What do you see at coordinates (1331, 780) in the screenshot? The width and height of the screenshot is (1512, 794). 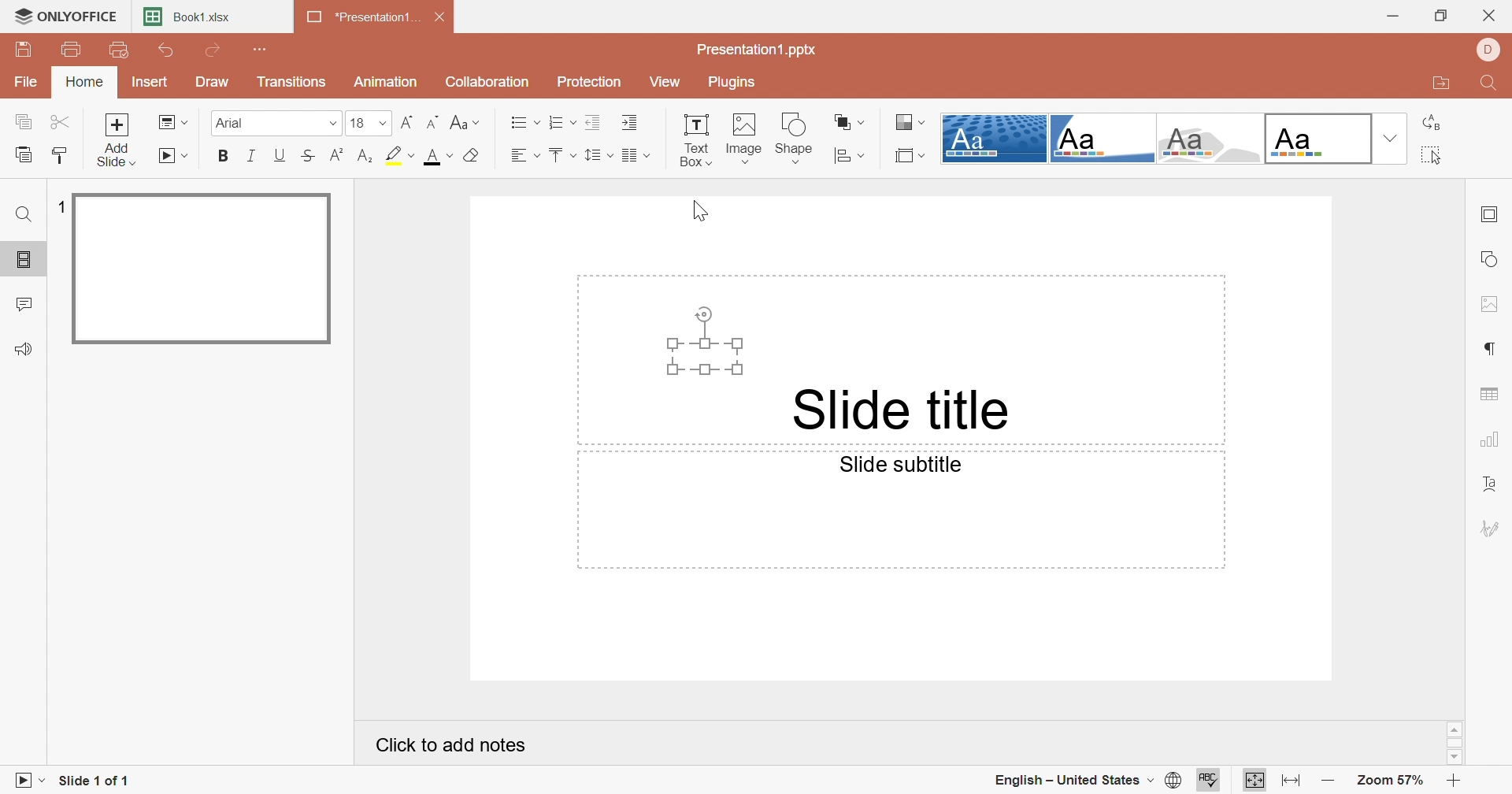 I see `Zoom out` at bounding box center [1331, 780].